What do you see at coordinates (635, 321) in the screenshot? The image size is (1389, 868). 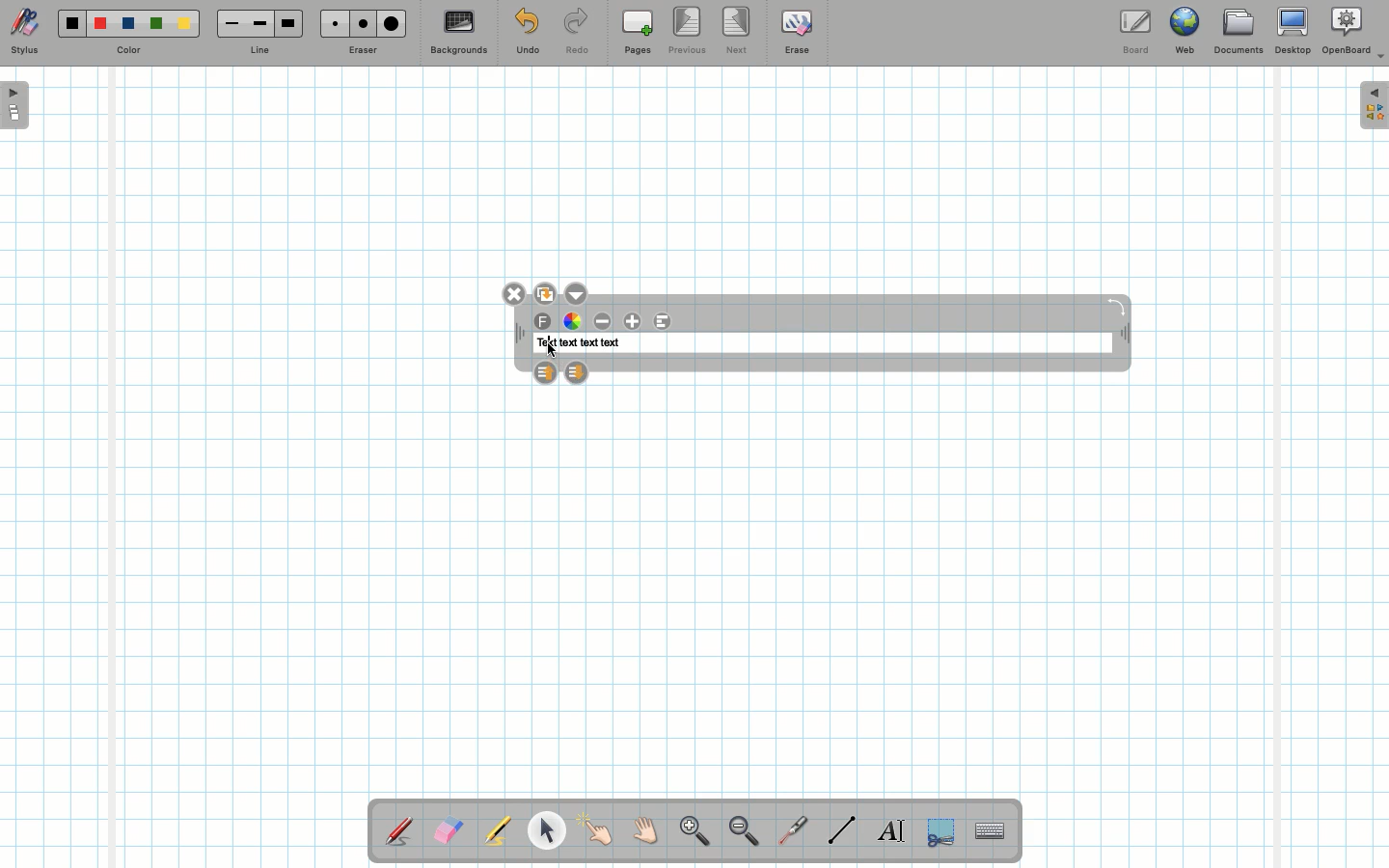 I see `Increase font size` at bounding box center [635, 321].